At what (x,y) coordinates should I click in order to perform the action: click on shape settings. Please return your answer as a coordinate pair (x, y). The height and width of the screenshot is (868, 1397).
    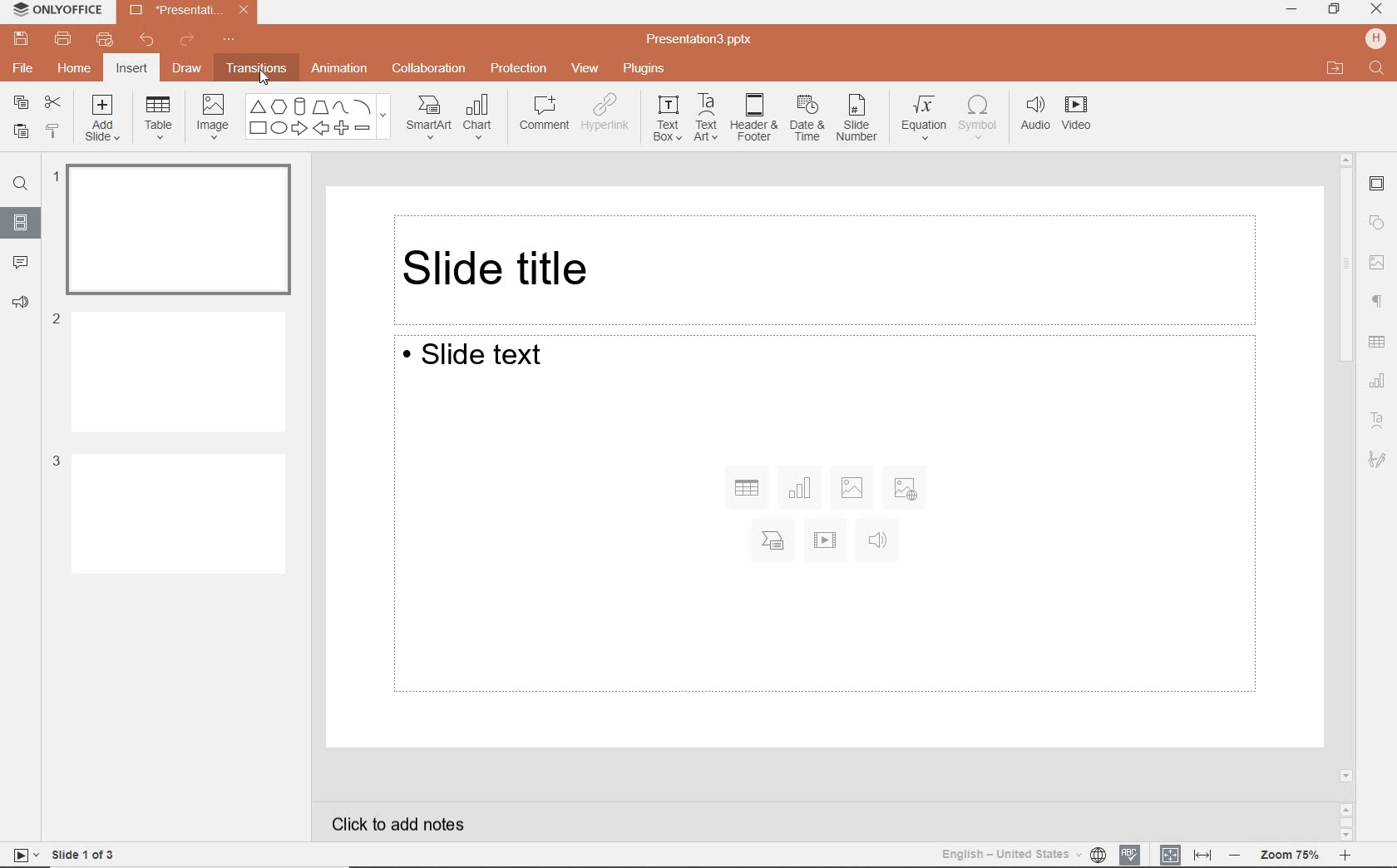
    Looking at the image, I should click on (1377, 223).